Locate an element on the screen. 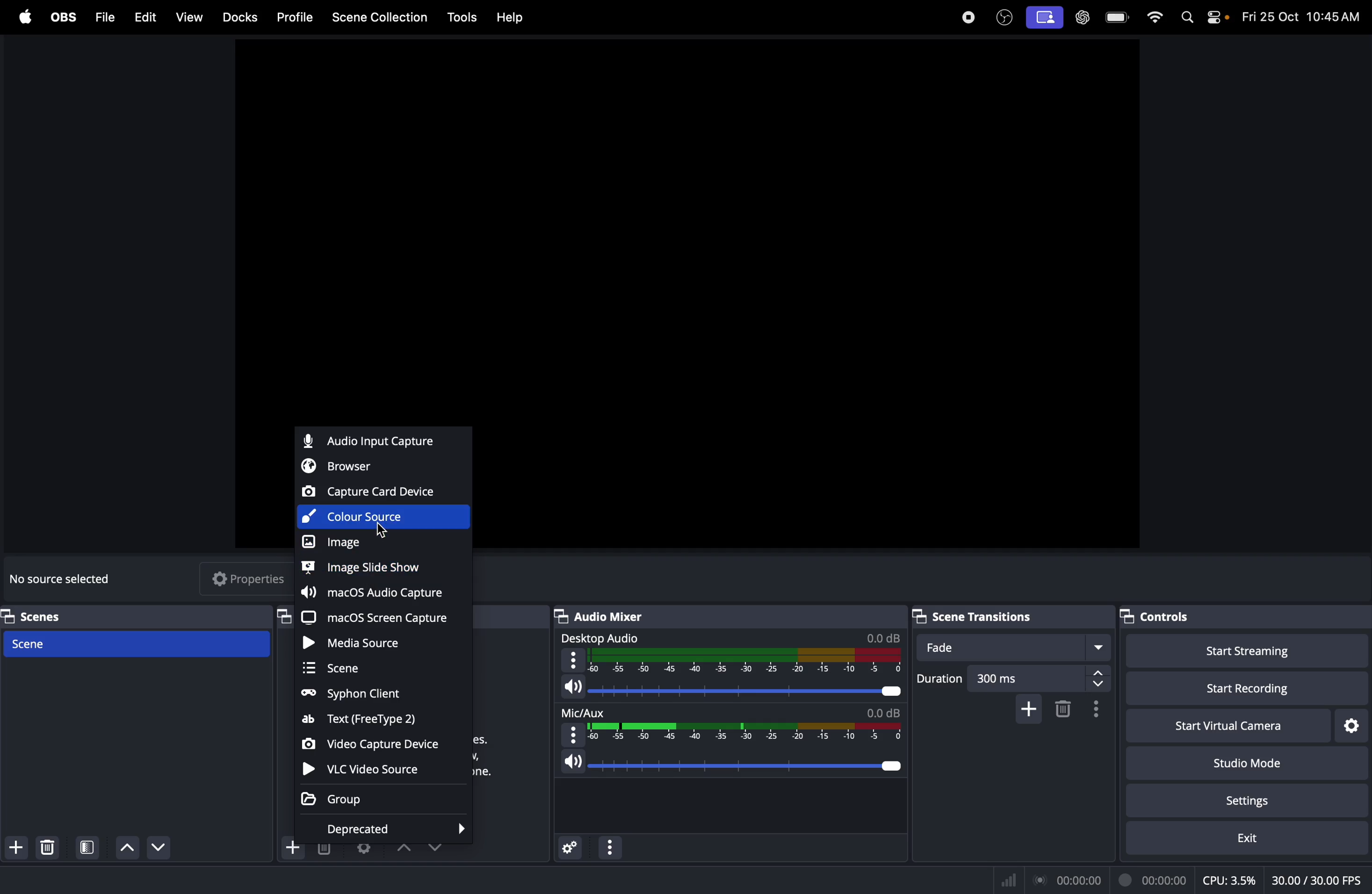 Image resolution: width=1372 pixels, height=894 pixels. macOS screen capture is located at coordinates (375, 616).